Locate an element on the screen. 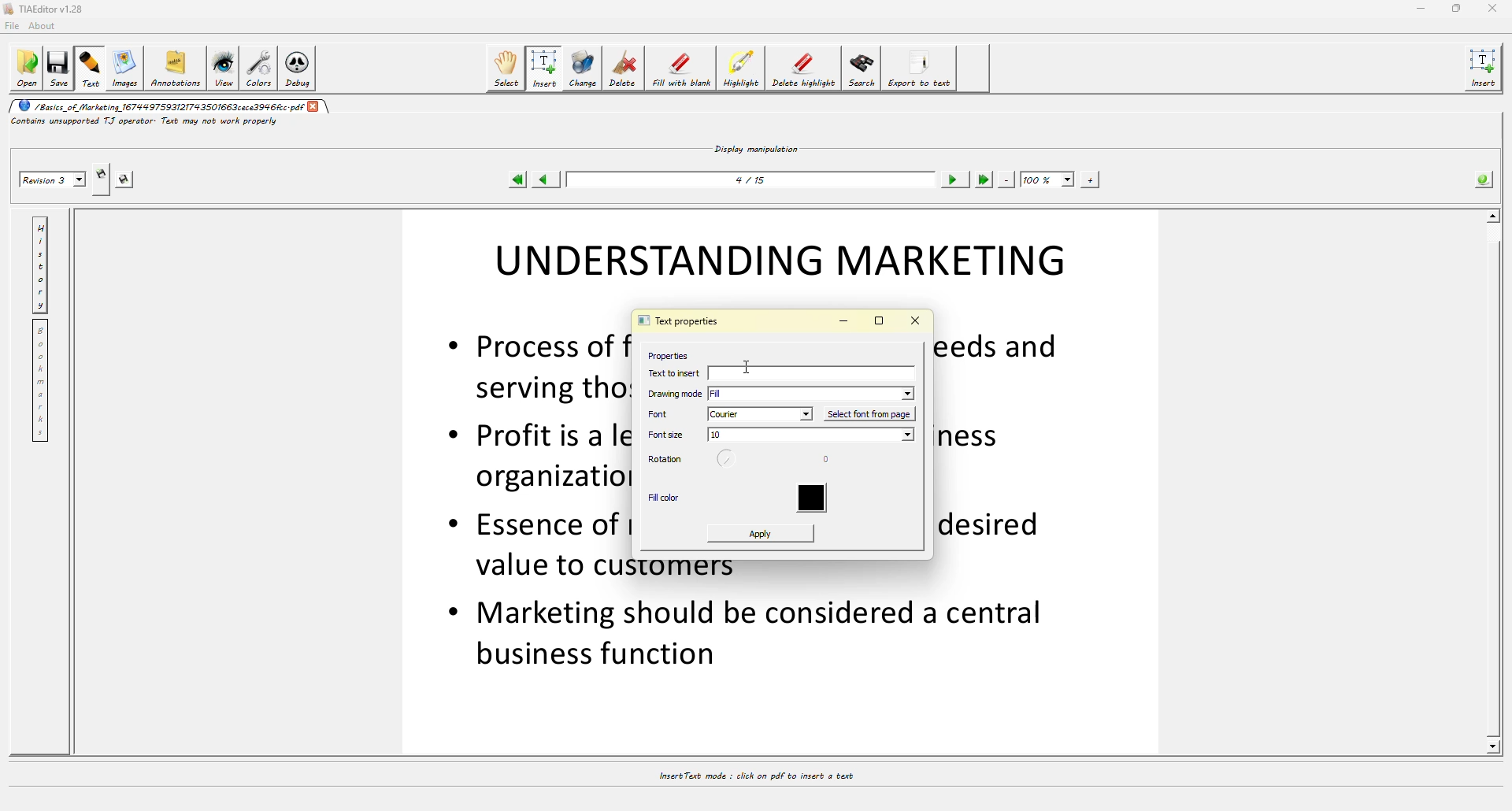 This screenshot has width=1512, height=811. insert is located at coordinates (547, 68).